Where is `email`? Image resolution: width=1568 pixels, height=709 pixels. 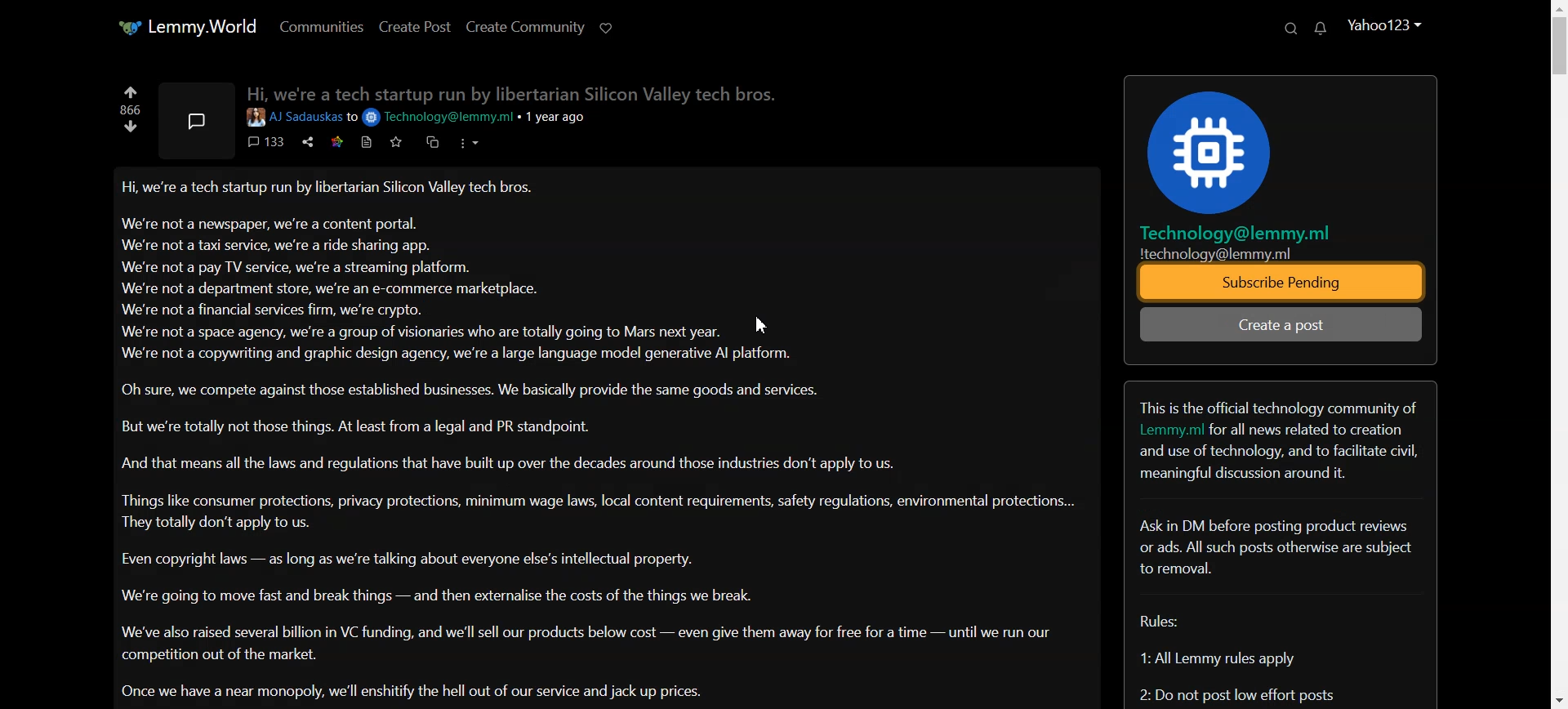
email is located at coordinates (452, 116).